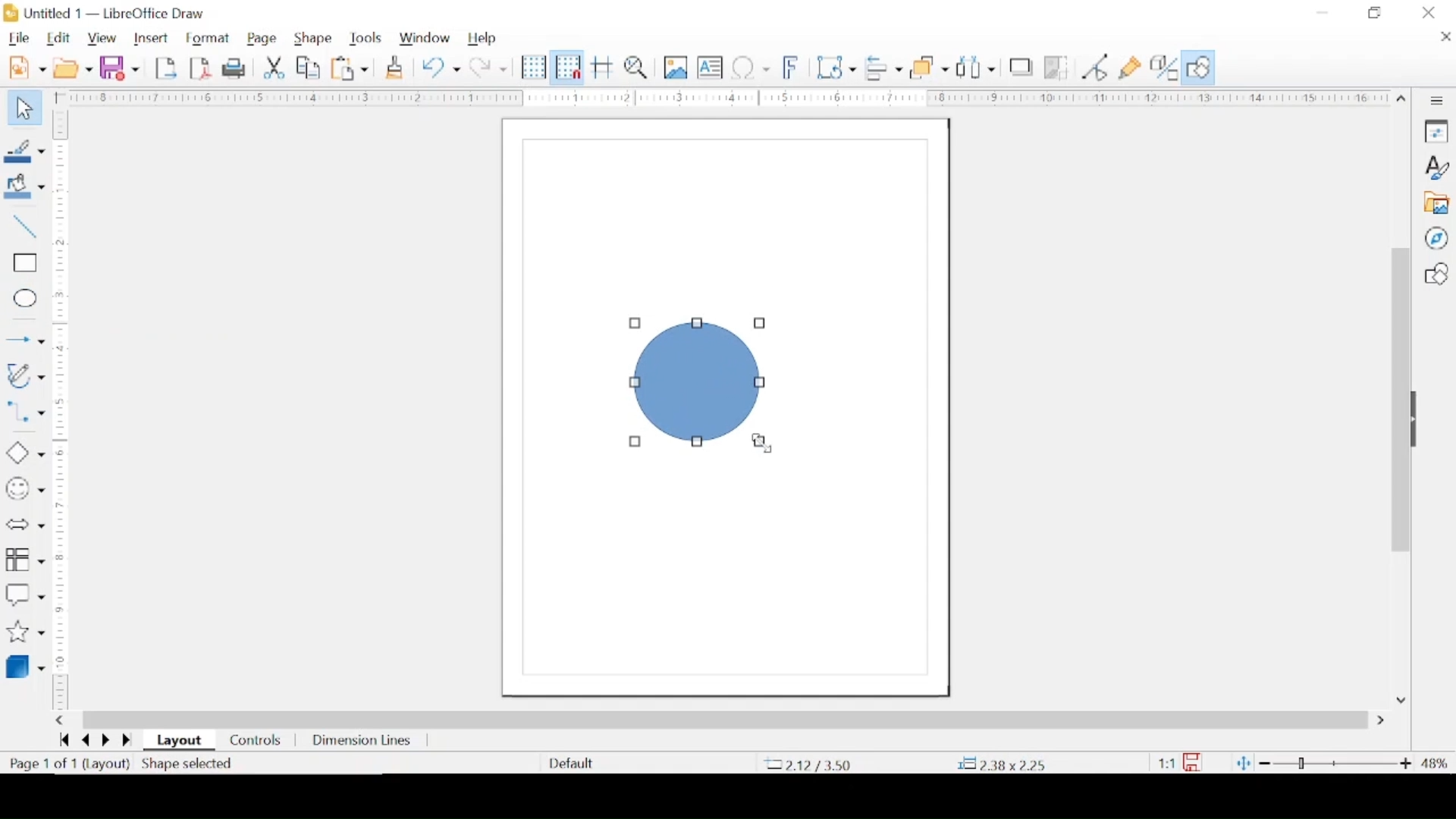 The width and height of the screenshot is (1456, 819). What do you see at coordinates (1421, 420) in the screenshot?
I see `drag handle` at bounding box center [1421, 420].